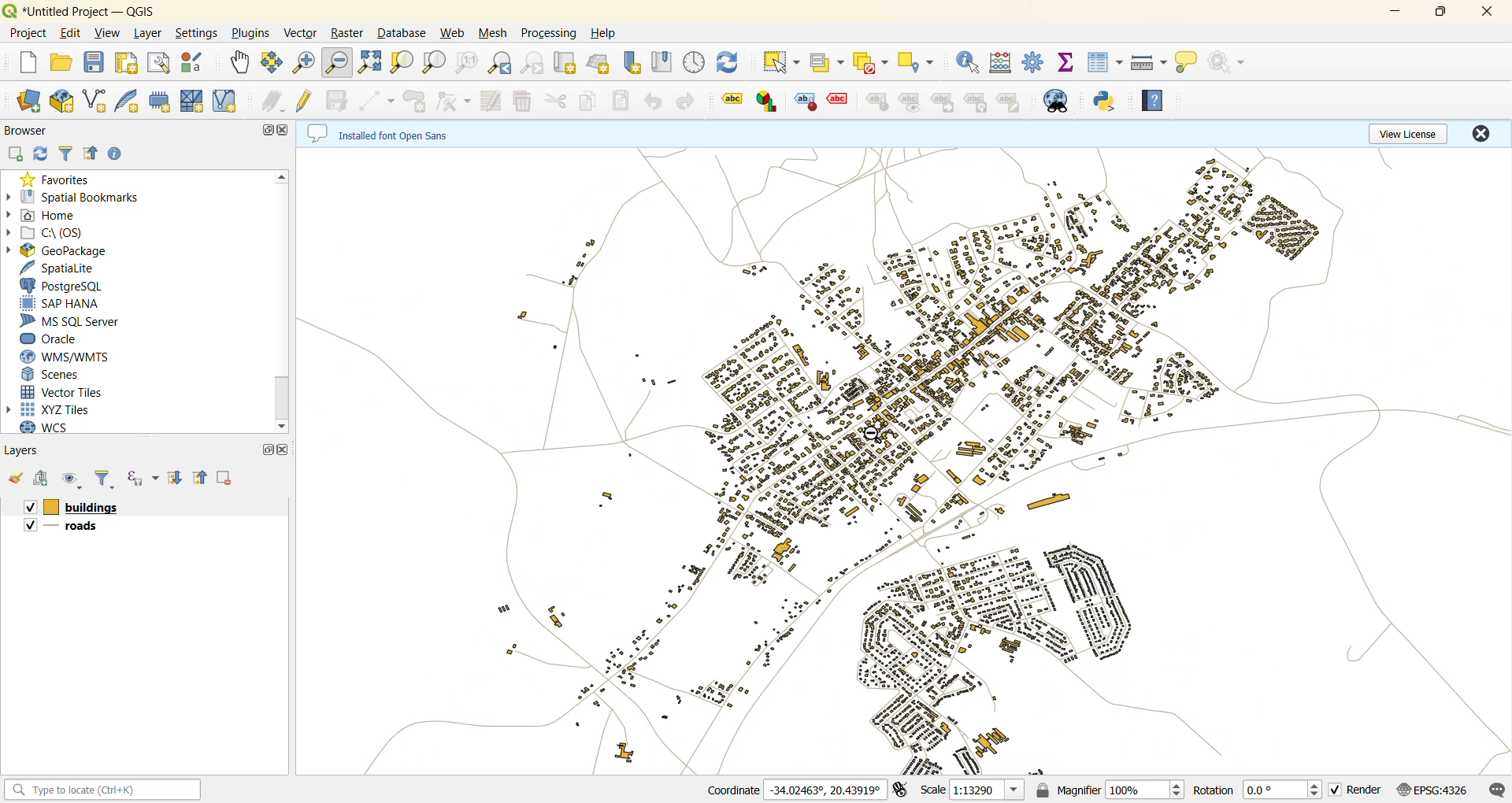  Describe the element at coordinates (876, 437) in the screenshot. I see `cursor` at that location.